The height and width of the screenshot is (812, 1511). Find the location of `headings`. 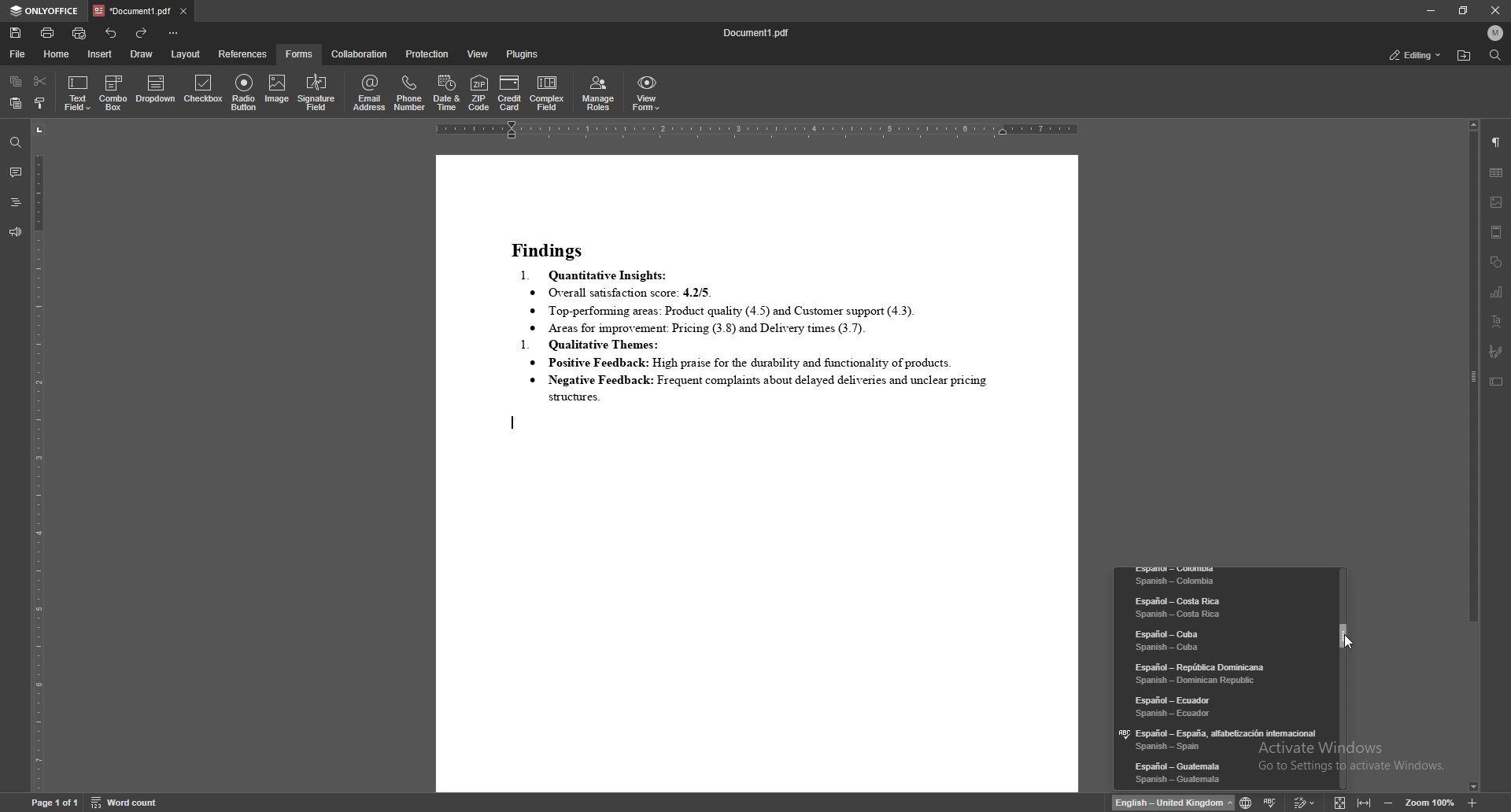

headings is located at coordinates (15, 202).